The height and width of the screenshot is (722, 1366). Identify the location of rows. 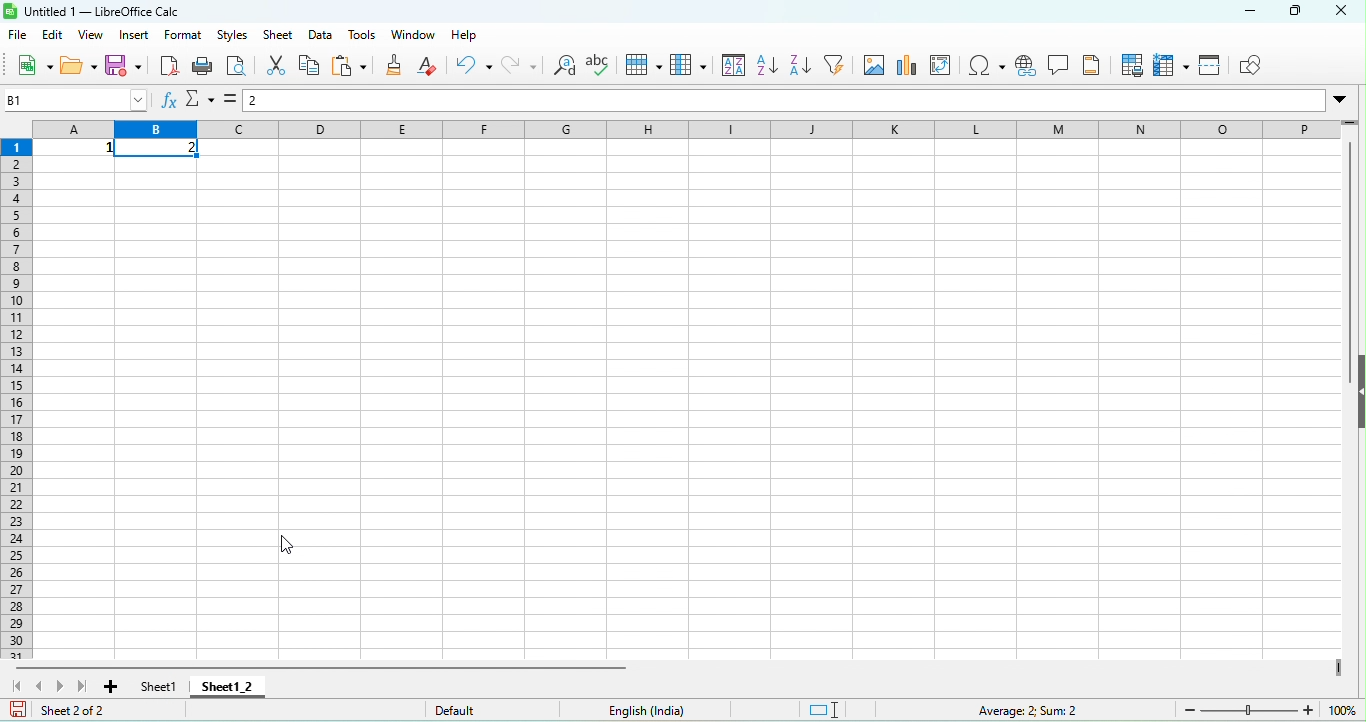
(19, 397).